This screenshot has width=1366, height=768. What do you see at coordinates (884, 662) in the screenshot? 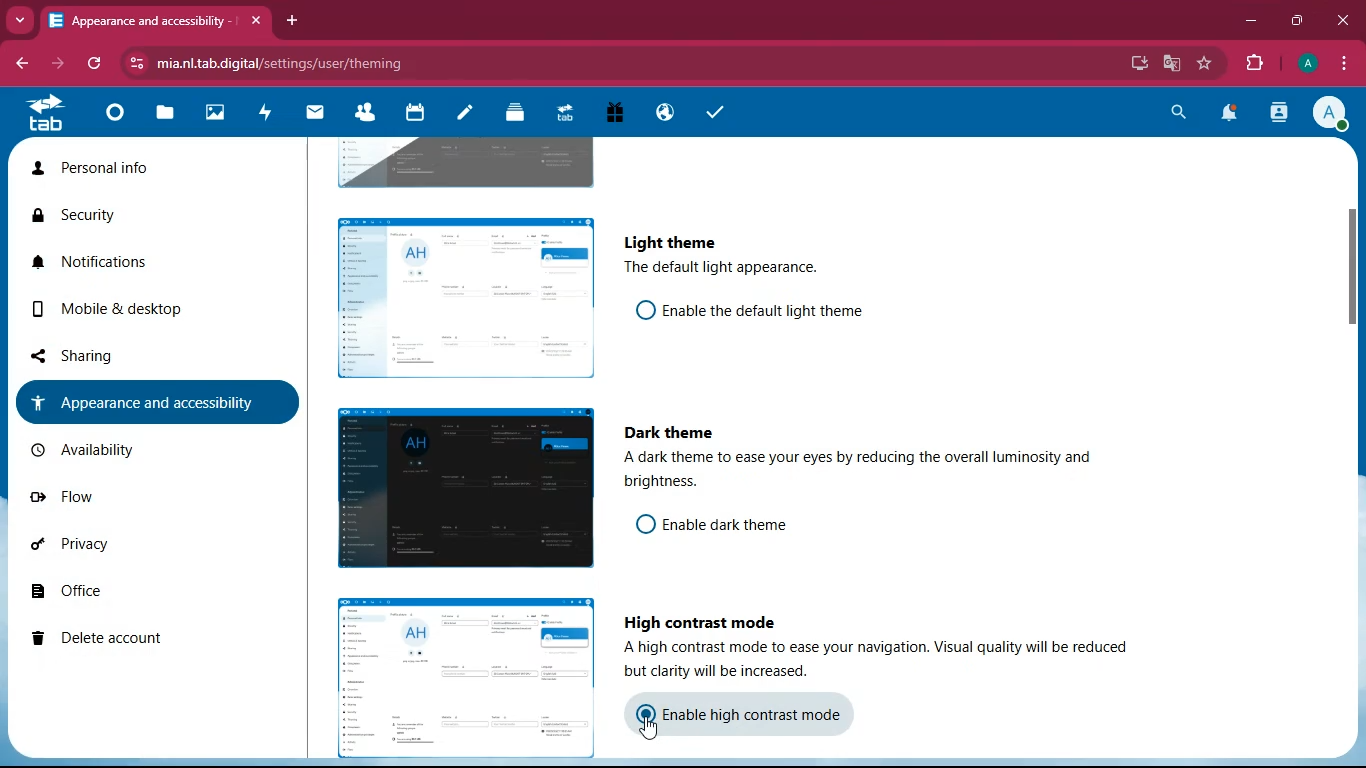
I see `description` at bounding box center [884, 662].